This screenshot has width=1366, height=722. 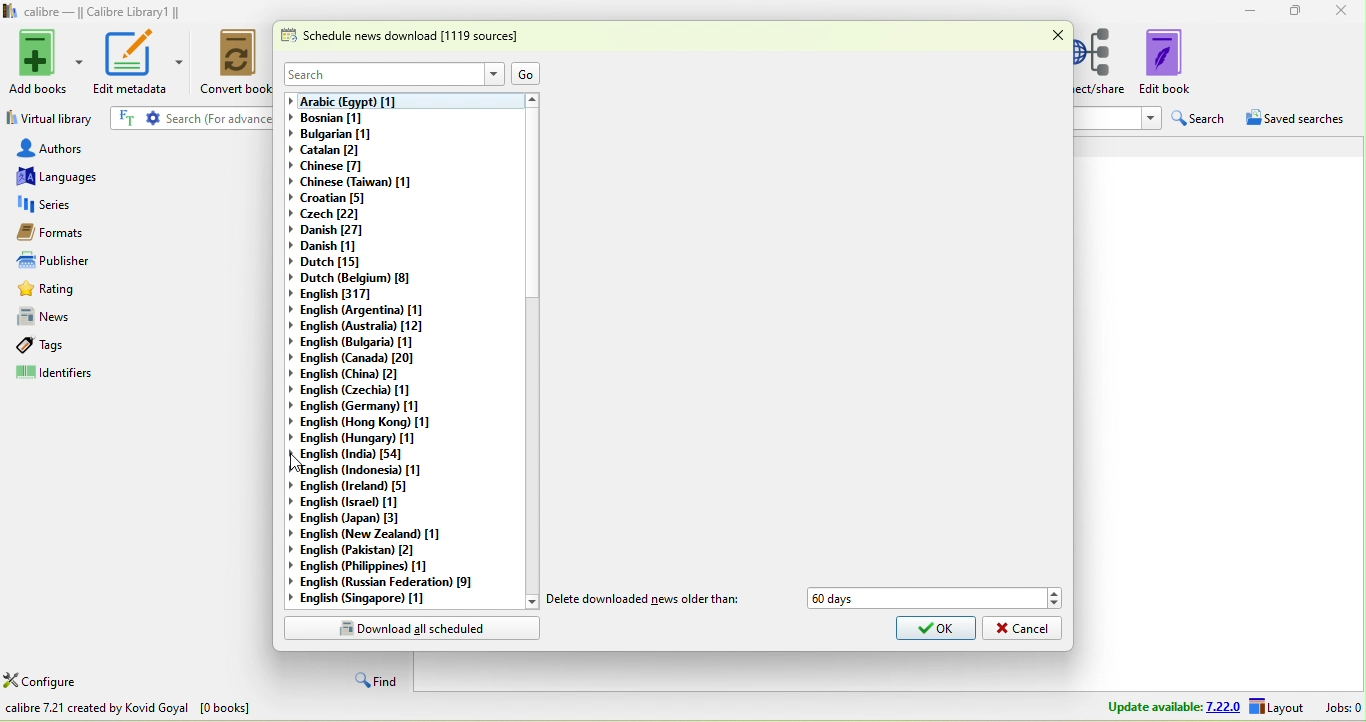 I want to click on close, so click(x=1057, y=36).